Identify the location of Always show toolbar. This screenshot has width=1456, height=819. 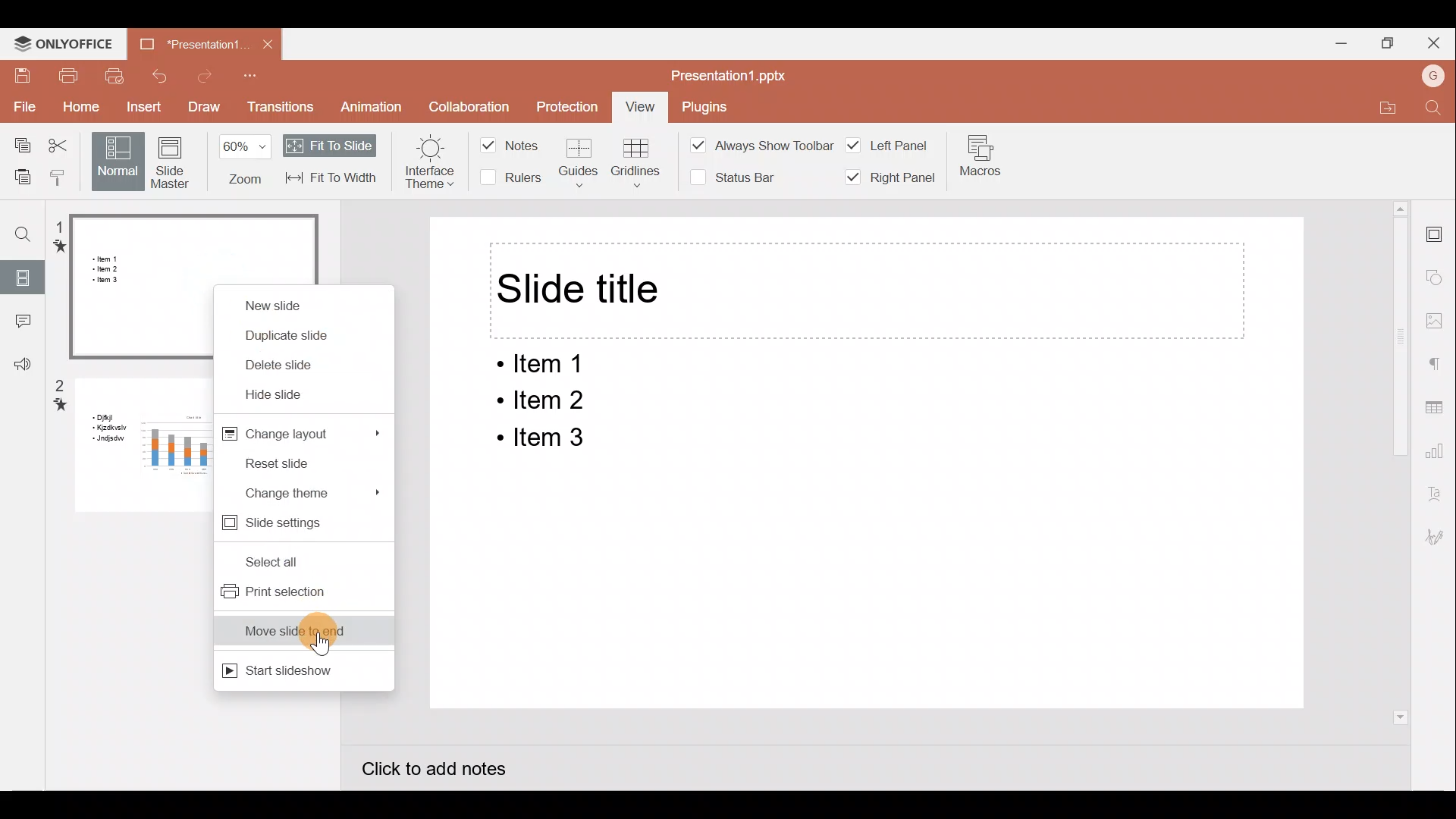
(763, 146).